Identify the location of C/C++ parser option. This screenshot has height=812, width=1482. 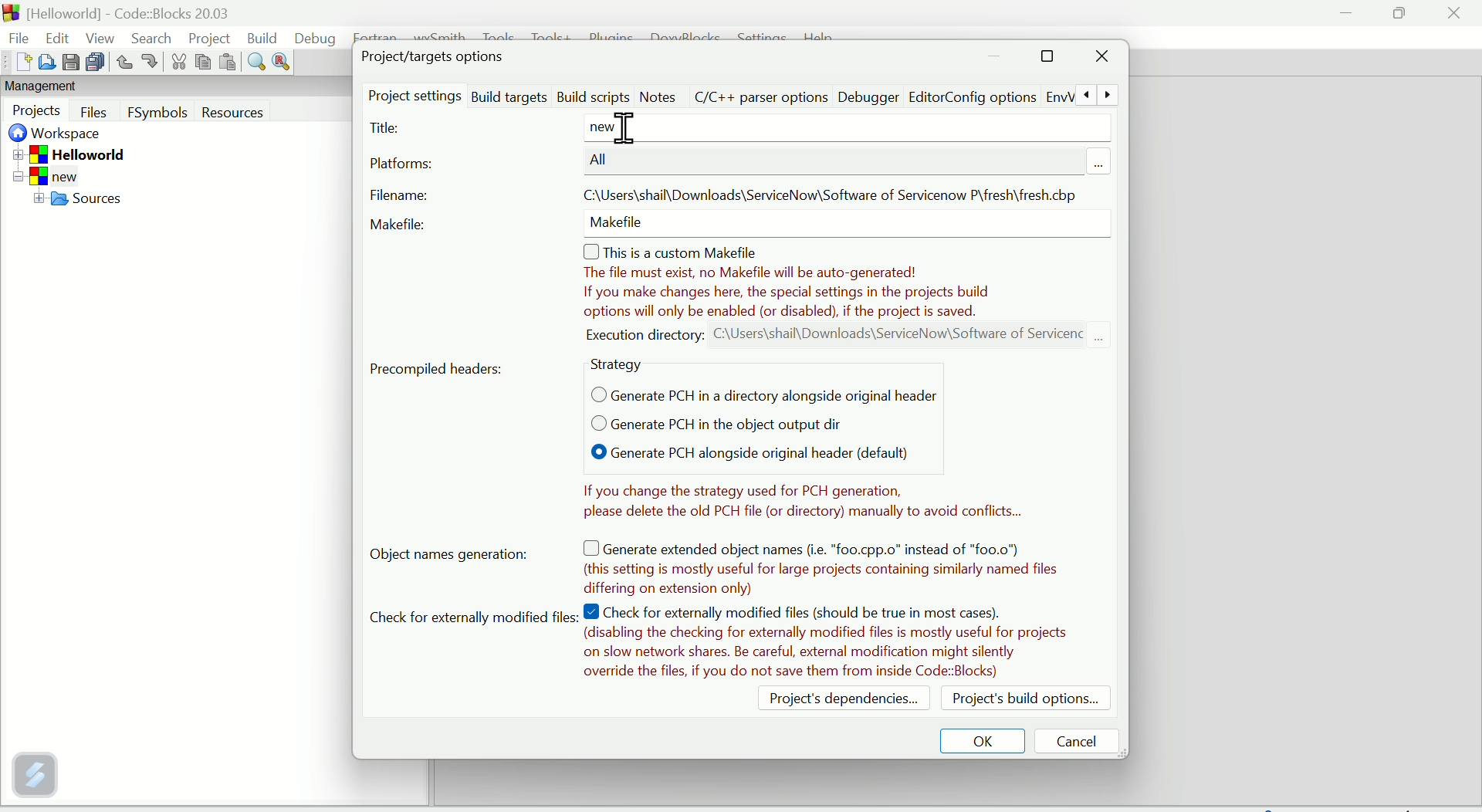
(762, 94).